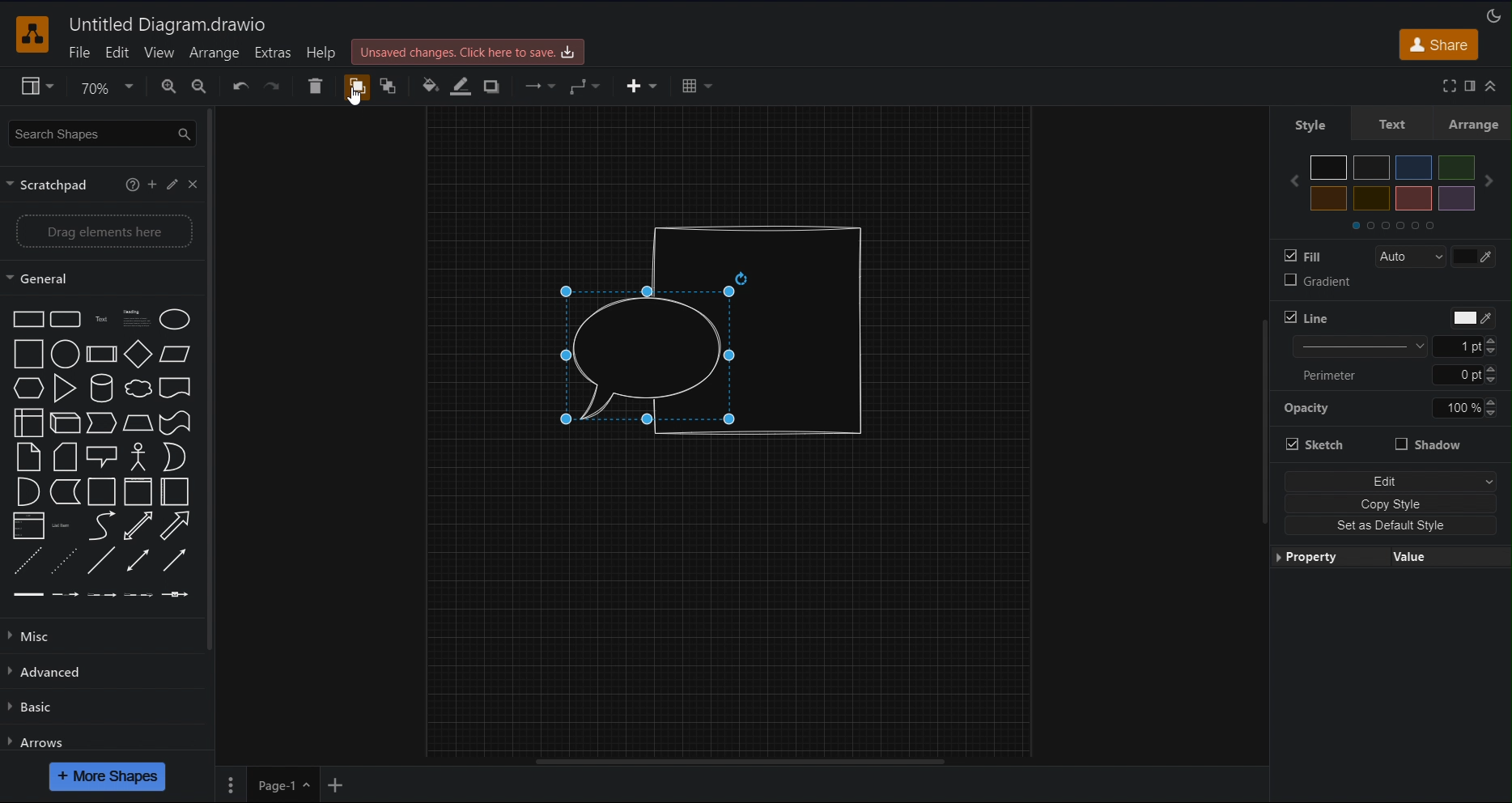 The height and width of the screenshot is (803, 1512). Describe the element at coordinates (176, 526) in the screenshot. I see `Arrow` at that location.